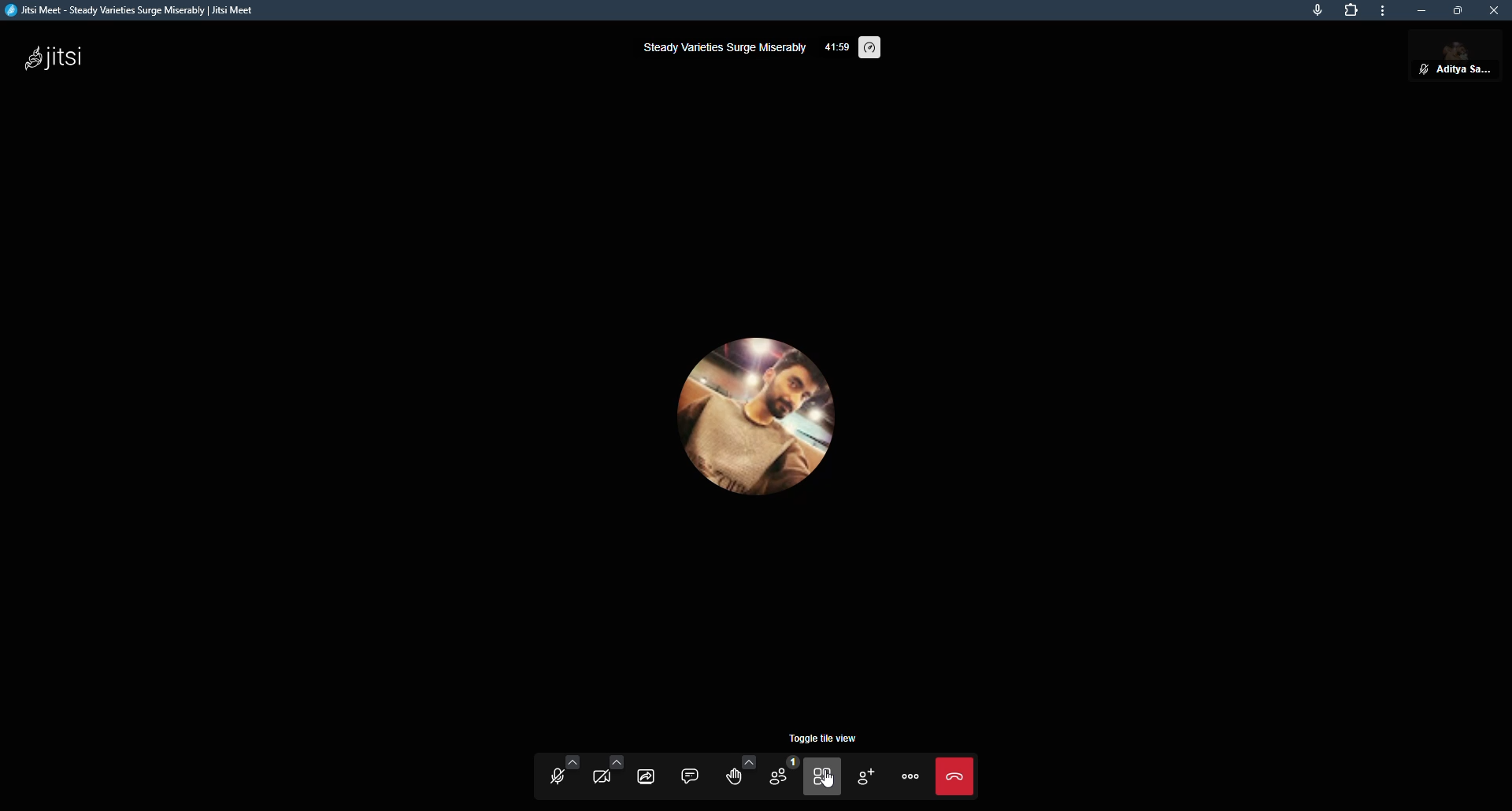 The height and width of the screenshot is (811, 1512). Describe the element at coordinates (768, 405) in the screenshot. I see `profile` at that location.